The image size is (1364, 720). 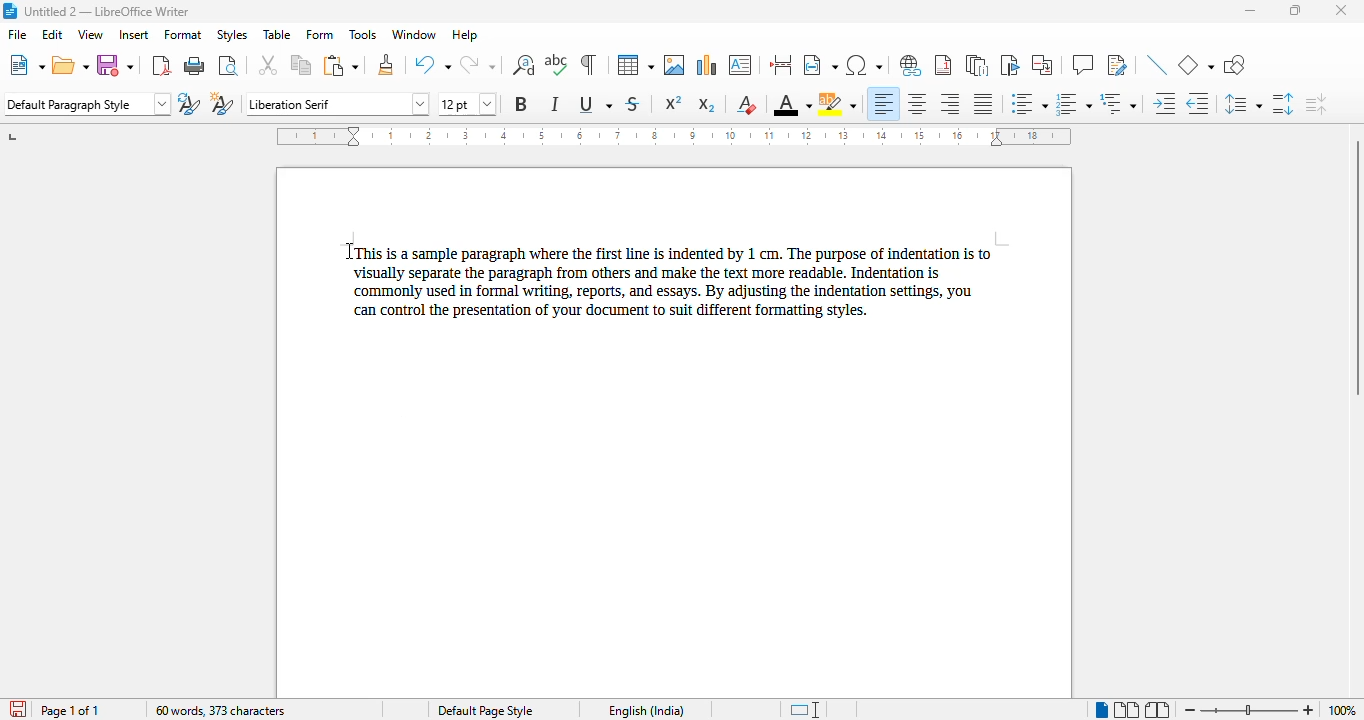 I want to click on zoom out, so click(x=1190, y=710).